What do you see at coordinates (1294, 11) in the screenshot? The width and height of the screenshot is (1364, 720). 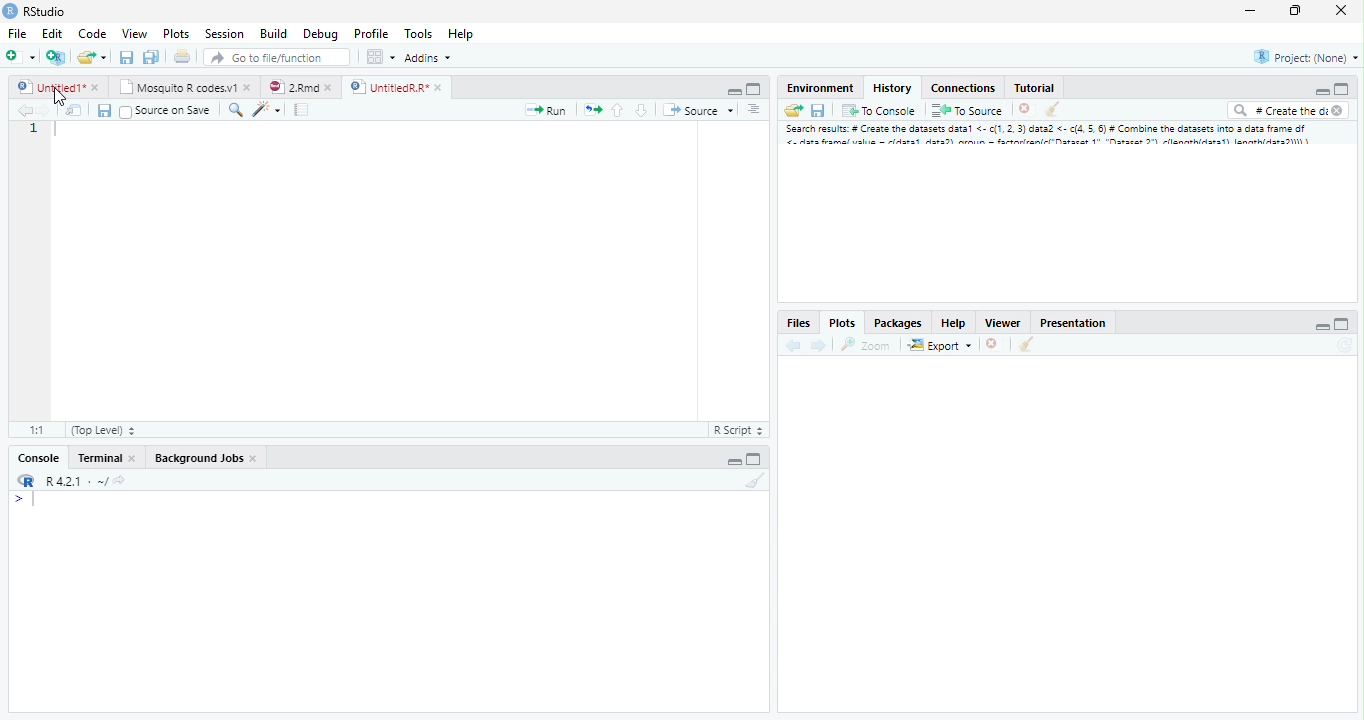 I see `Maximize` at bounding box center [1294, 11].